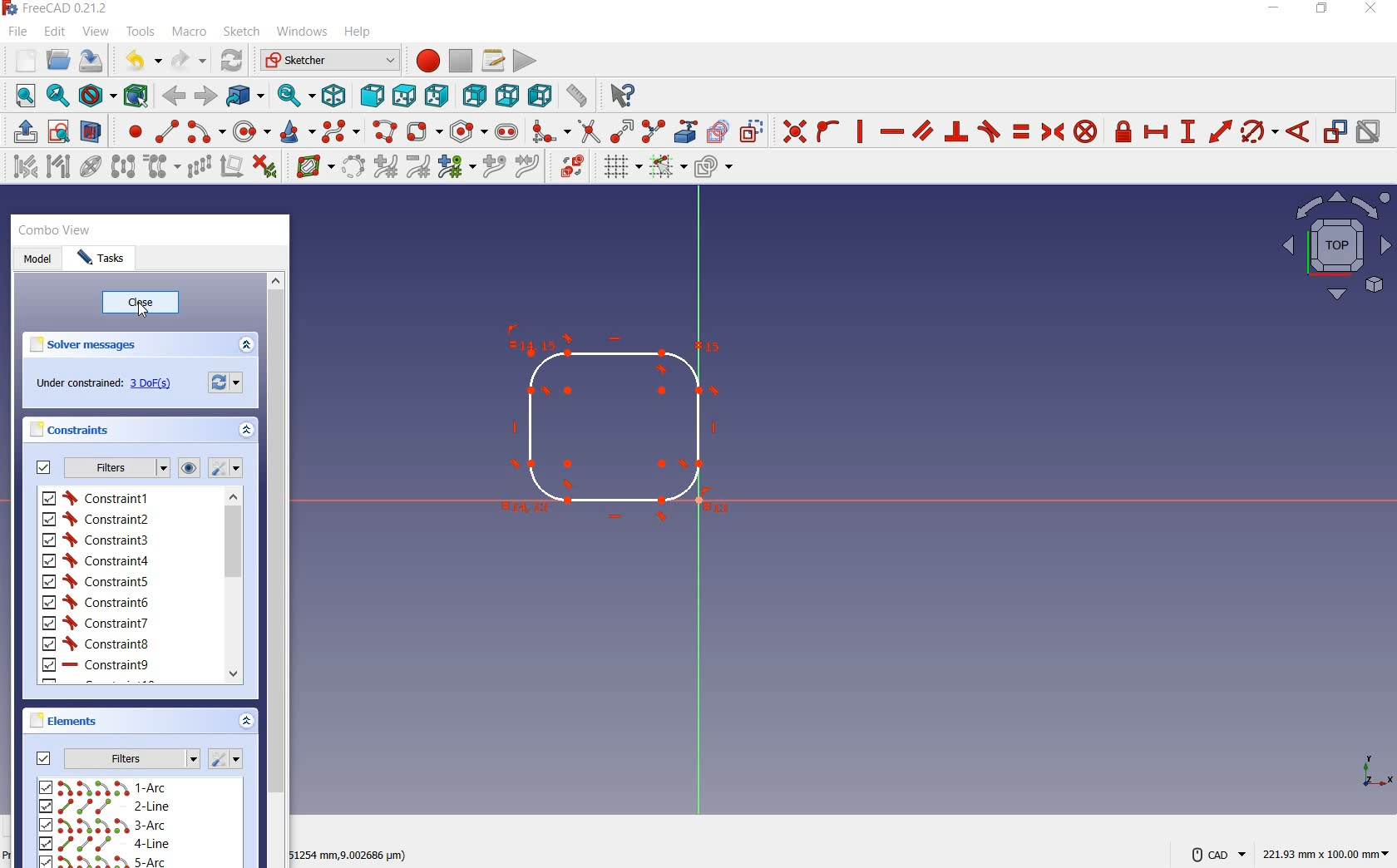  What do you see at coordinates (1054, 133) in the screenshot?
I see `constrain symmetrical` at bounding box center [1054, 133].